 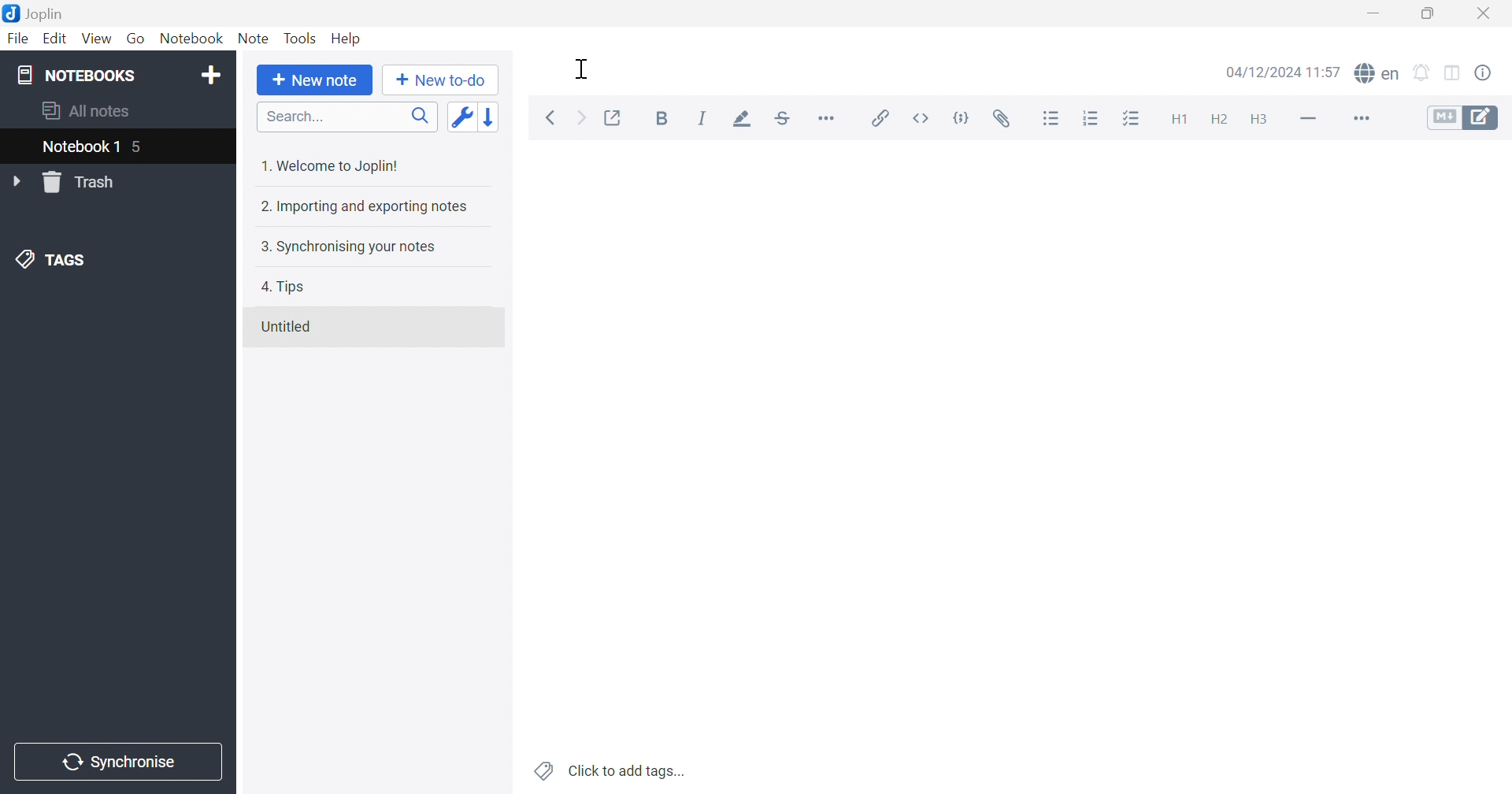 What do you see at coordinates (702, 118) in the screenshot?
I see `Italic` at bounding box center [702, 118].